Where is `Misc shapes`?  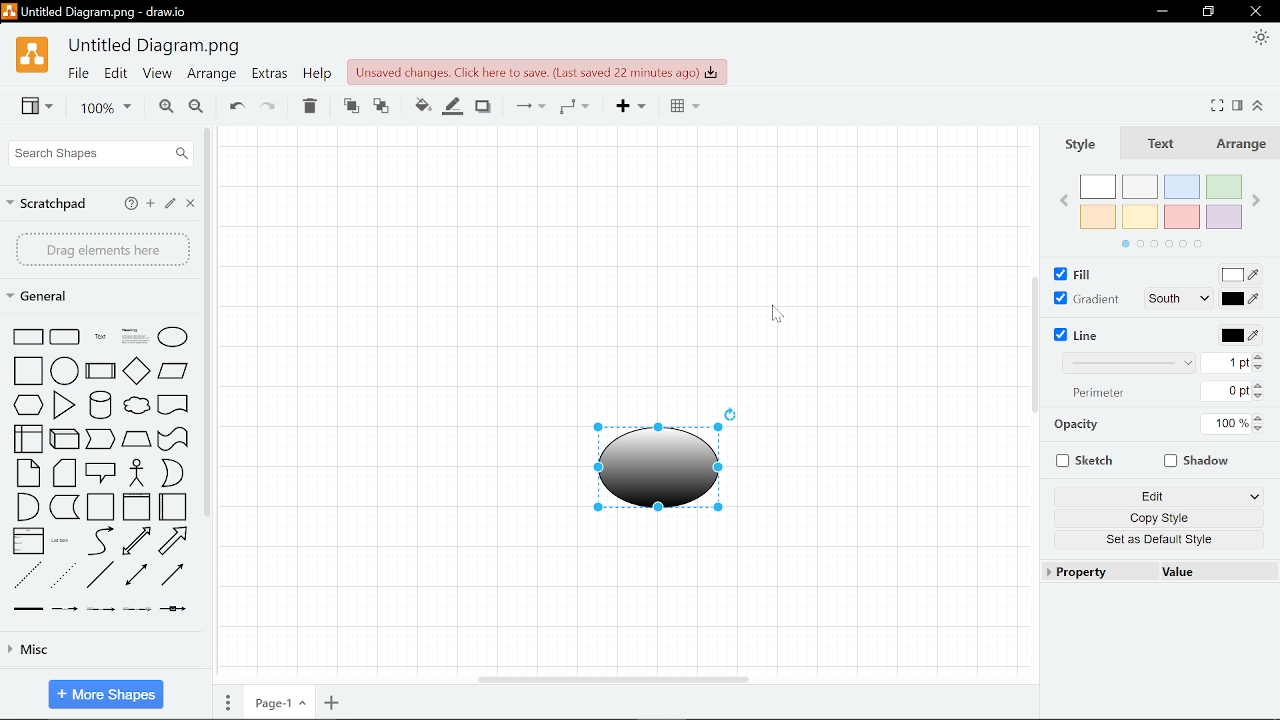
Misc shapes is located at coordinates (89, 650).